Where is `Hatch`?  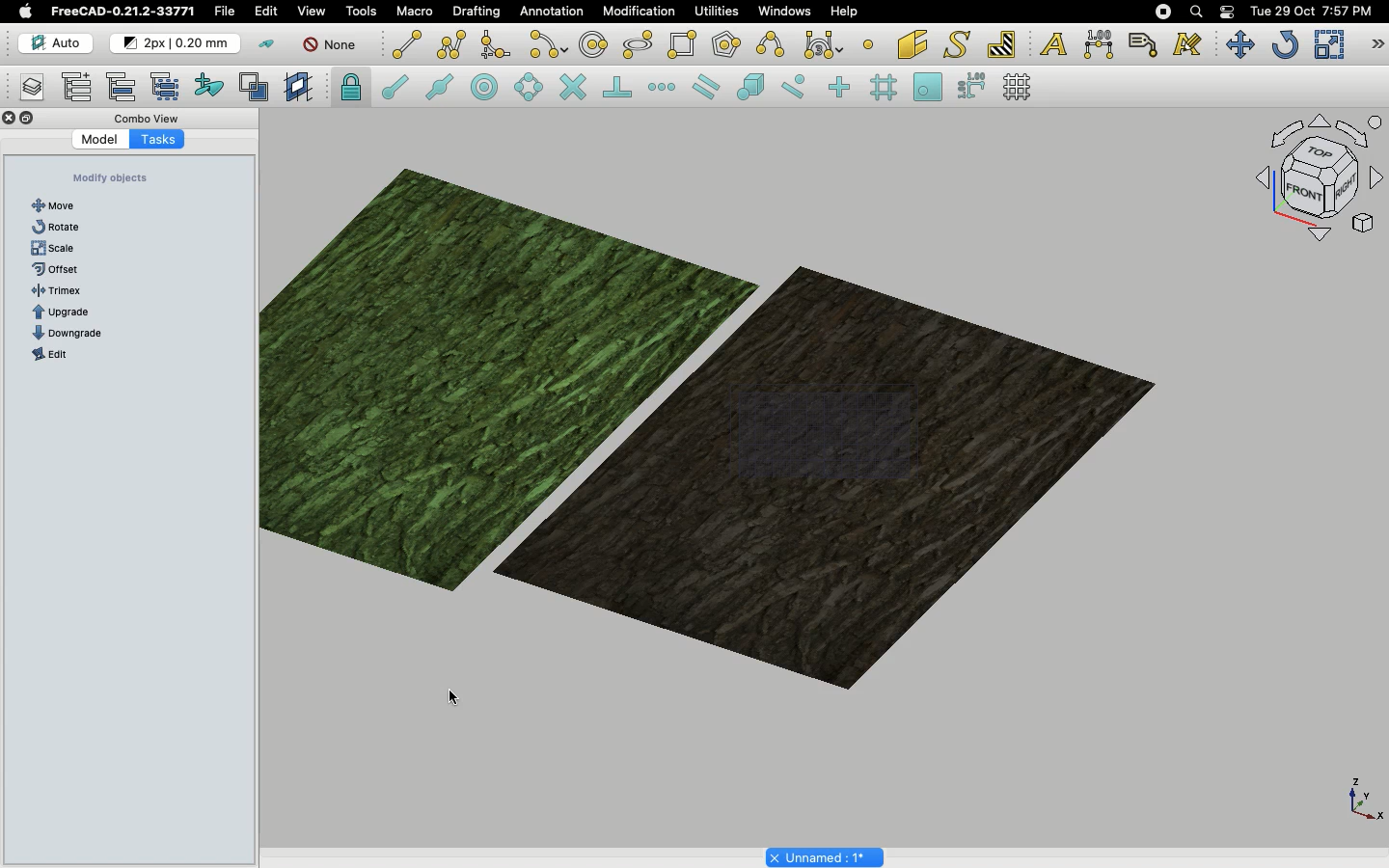 Hatch is located at coordinates (1002, 44).